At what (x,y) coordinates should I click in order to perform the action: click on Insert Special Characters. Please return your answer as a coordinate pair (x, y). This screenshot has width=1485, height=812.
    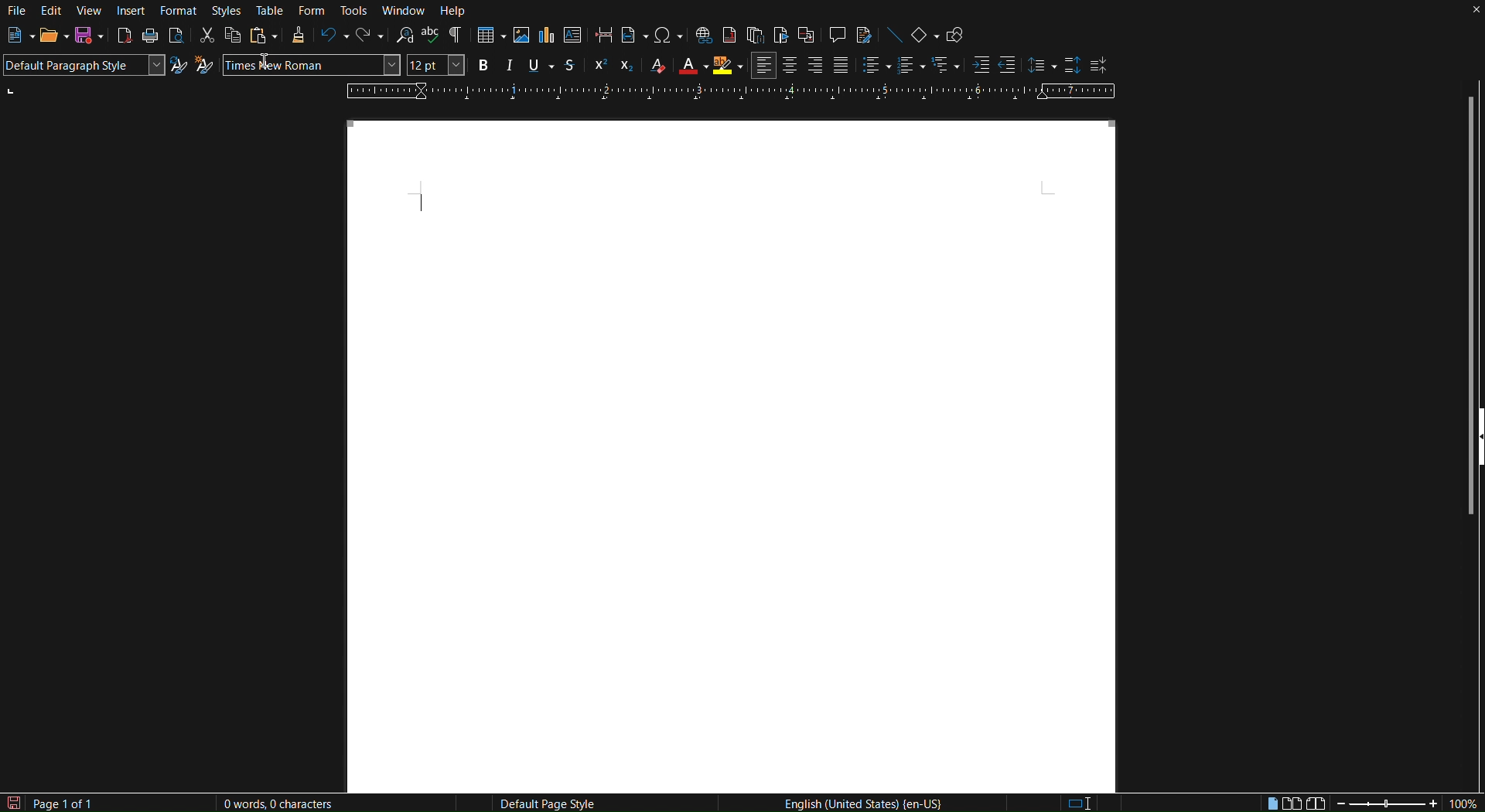
    Looking at the image, I should click on (667, 37).